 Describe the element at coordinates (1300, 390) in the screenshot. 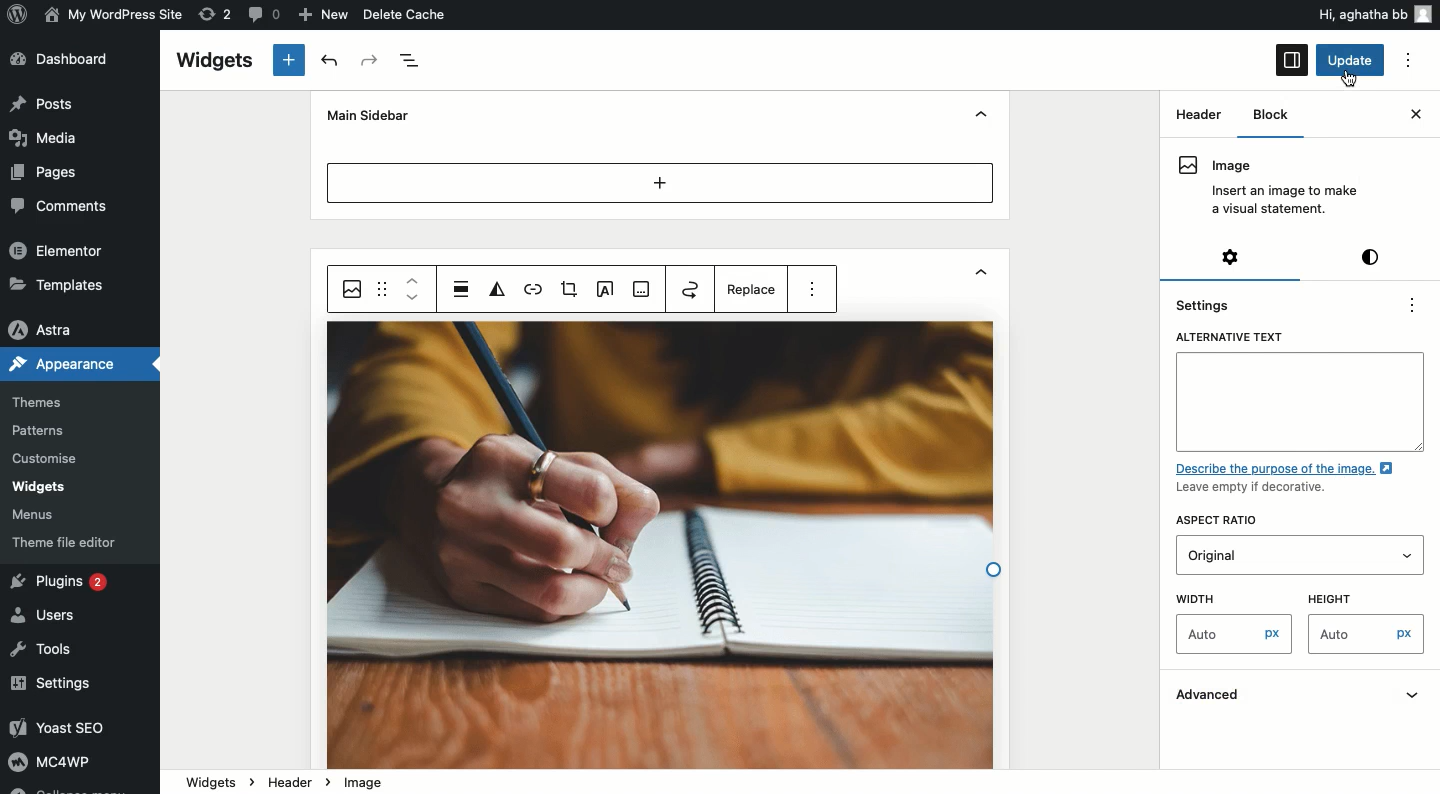

I see `Alternative text` at that location.